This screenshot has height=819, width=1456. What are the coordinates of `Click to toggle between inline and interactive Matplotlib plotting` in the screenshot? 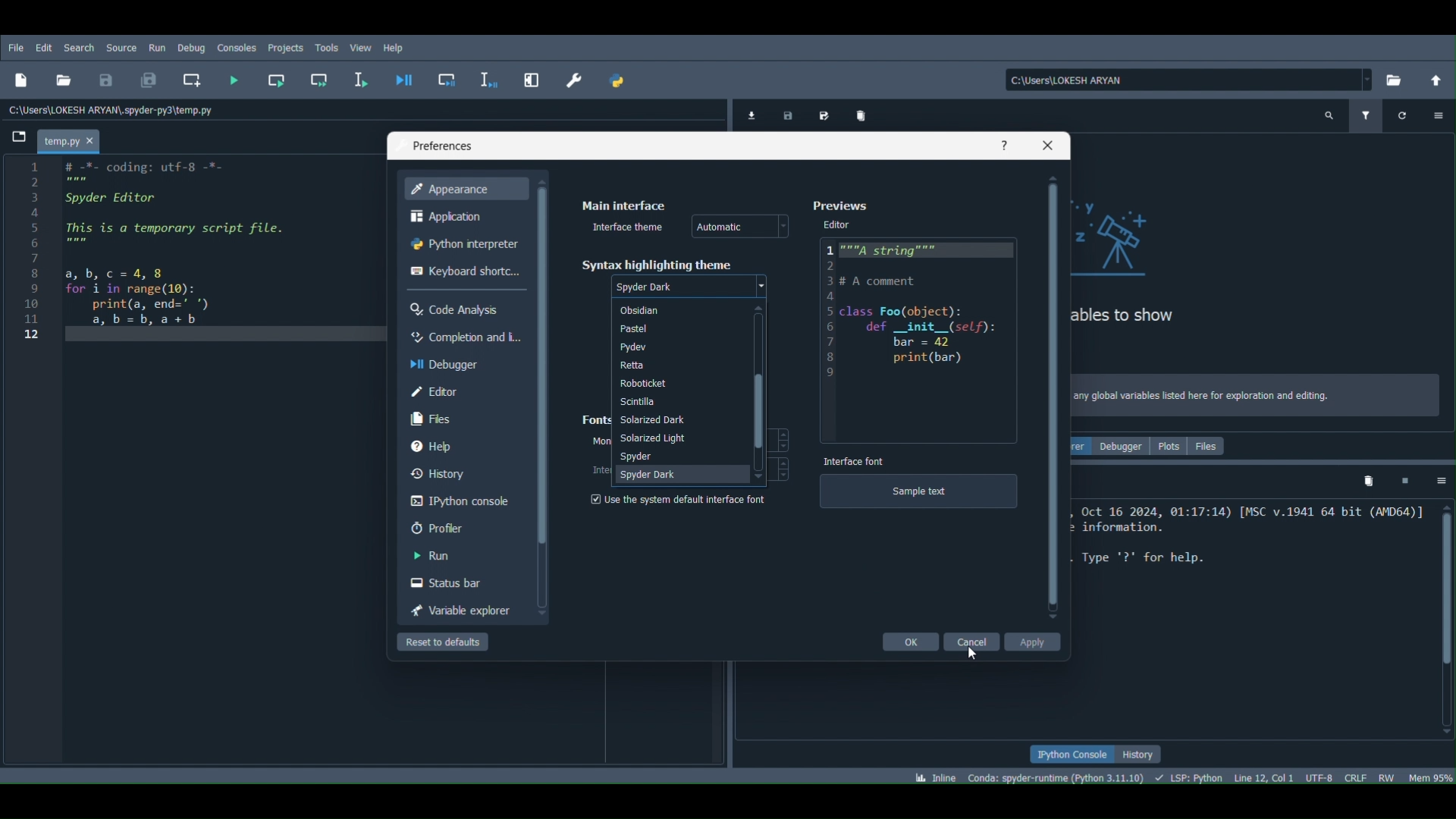 It's located at (938, 773).